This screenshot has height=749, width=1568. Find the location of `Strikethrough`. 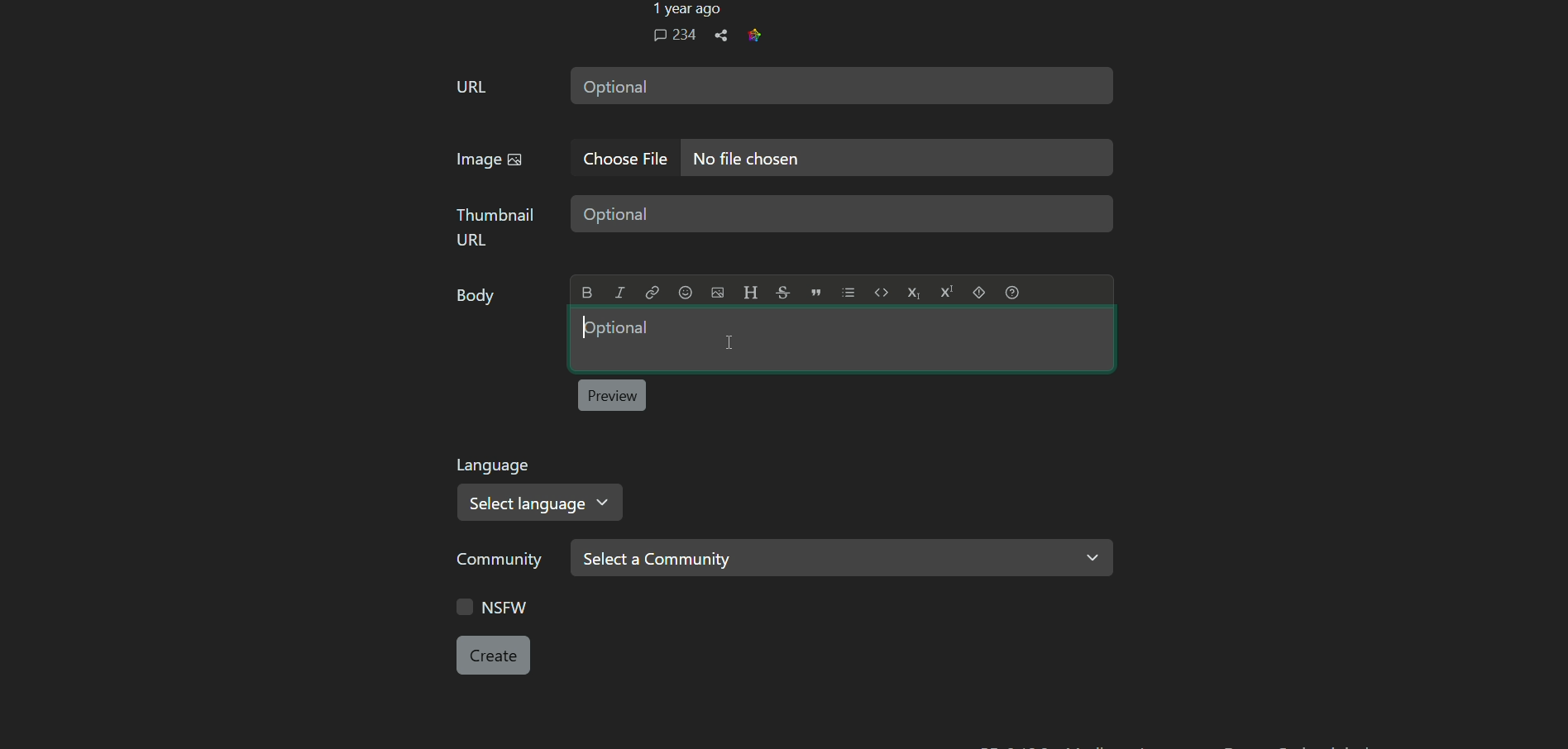

Strikethrough is located at coordinates (782, 292).